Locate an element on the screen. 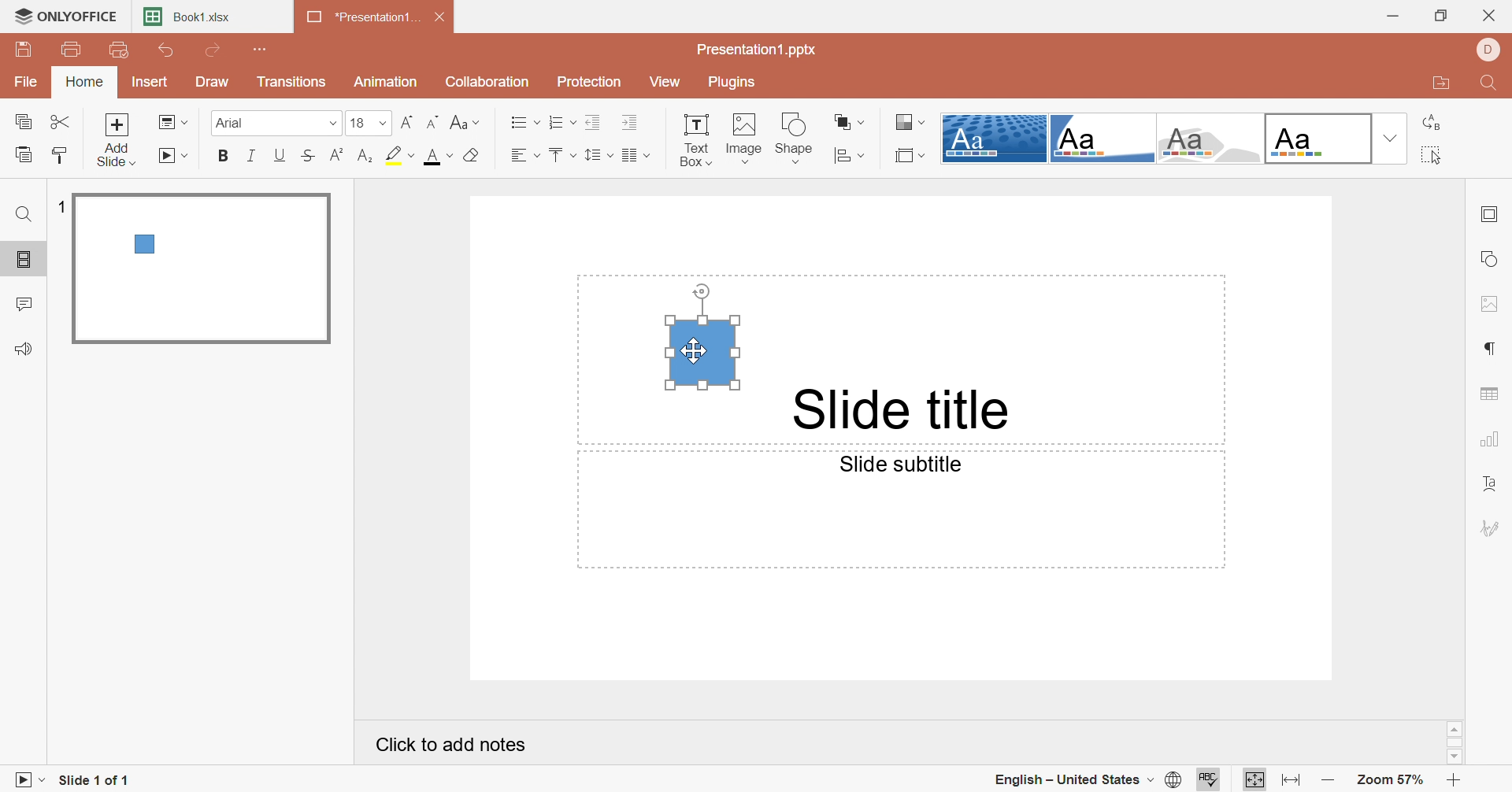 The height and width of the screenshot is (792, 1512). Home is located at coordinates (87, 83).